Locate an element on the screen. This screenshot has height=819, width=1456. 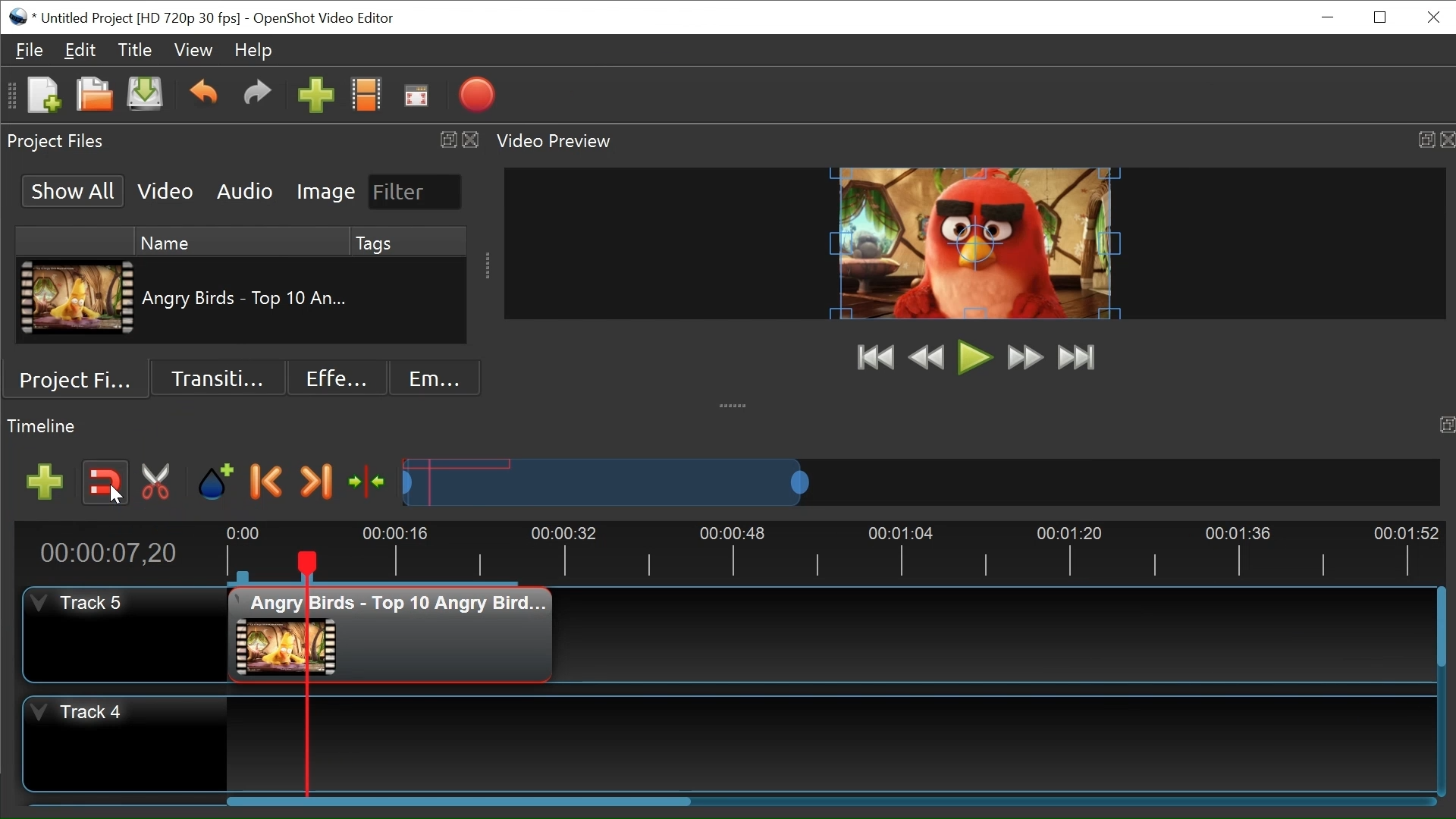
drag handle is located at coordinates (490, 268).